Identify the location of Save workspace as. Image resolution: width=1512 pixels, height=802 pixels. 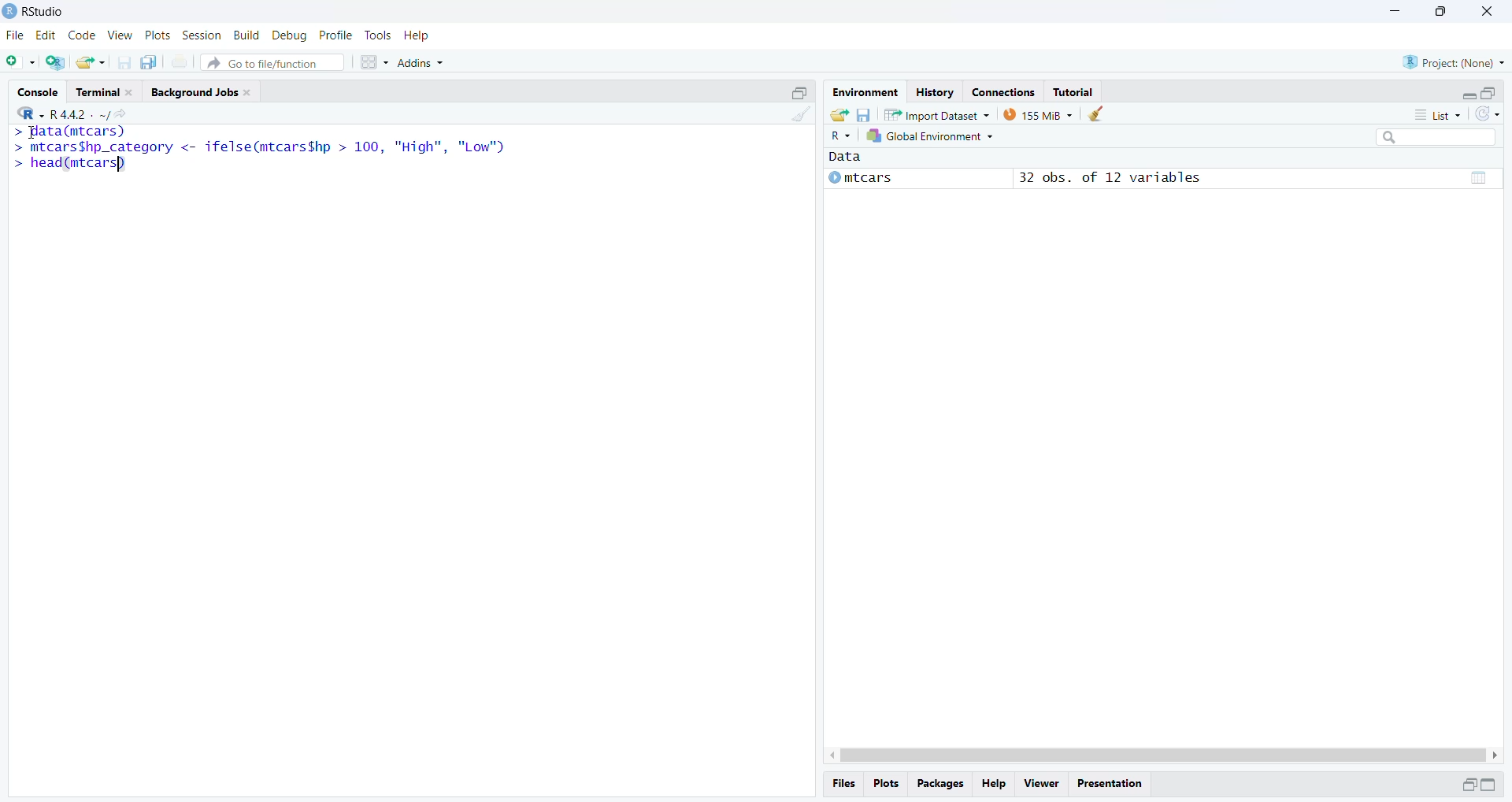
(864, 113).